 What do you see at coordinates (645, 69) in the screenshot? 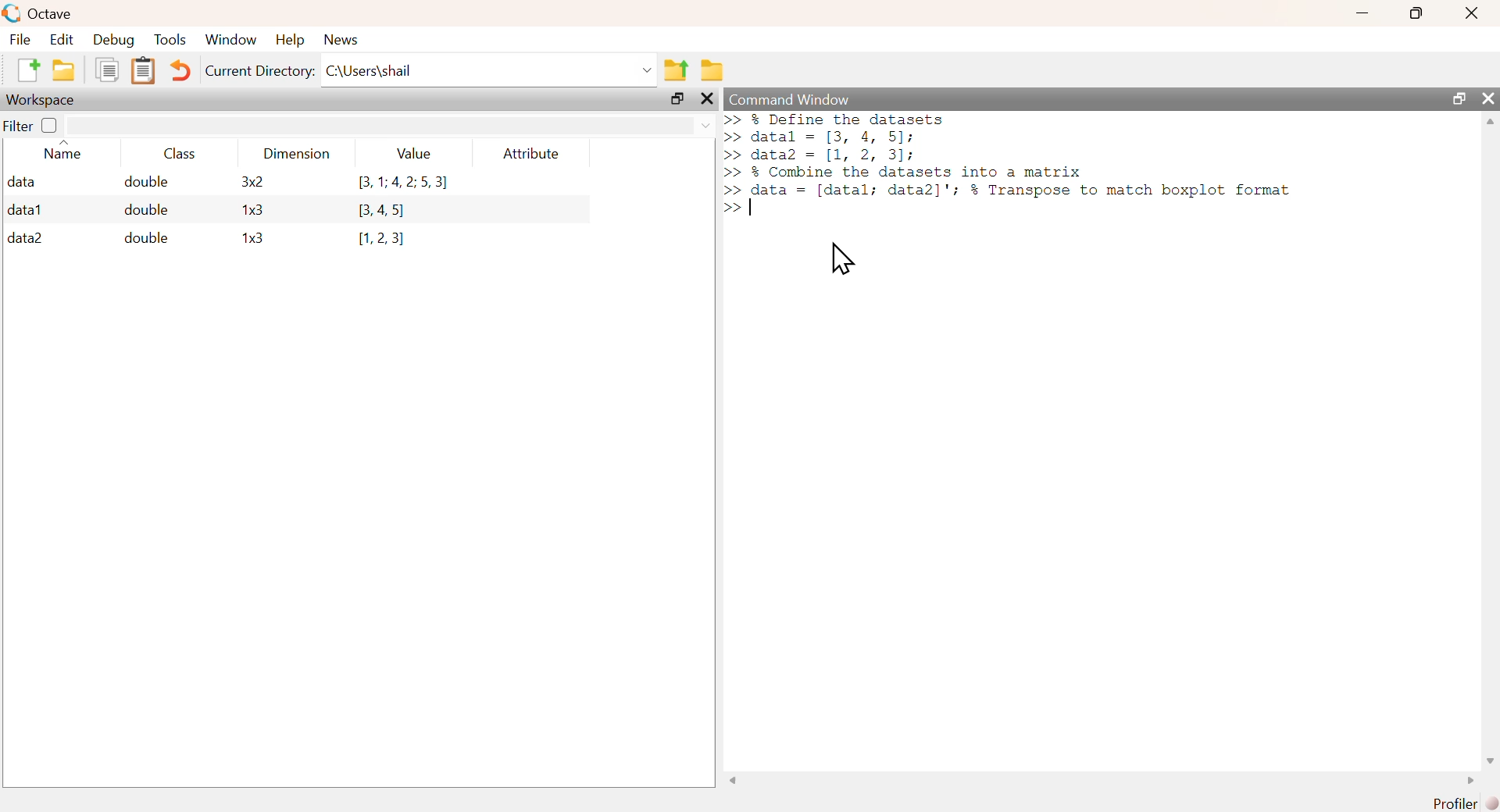
I see `dropdown` at bounding box center [645, 69].